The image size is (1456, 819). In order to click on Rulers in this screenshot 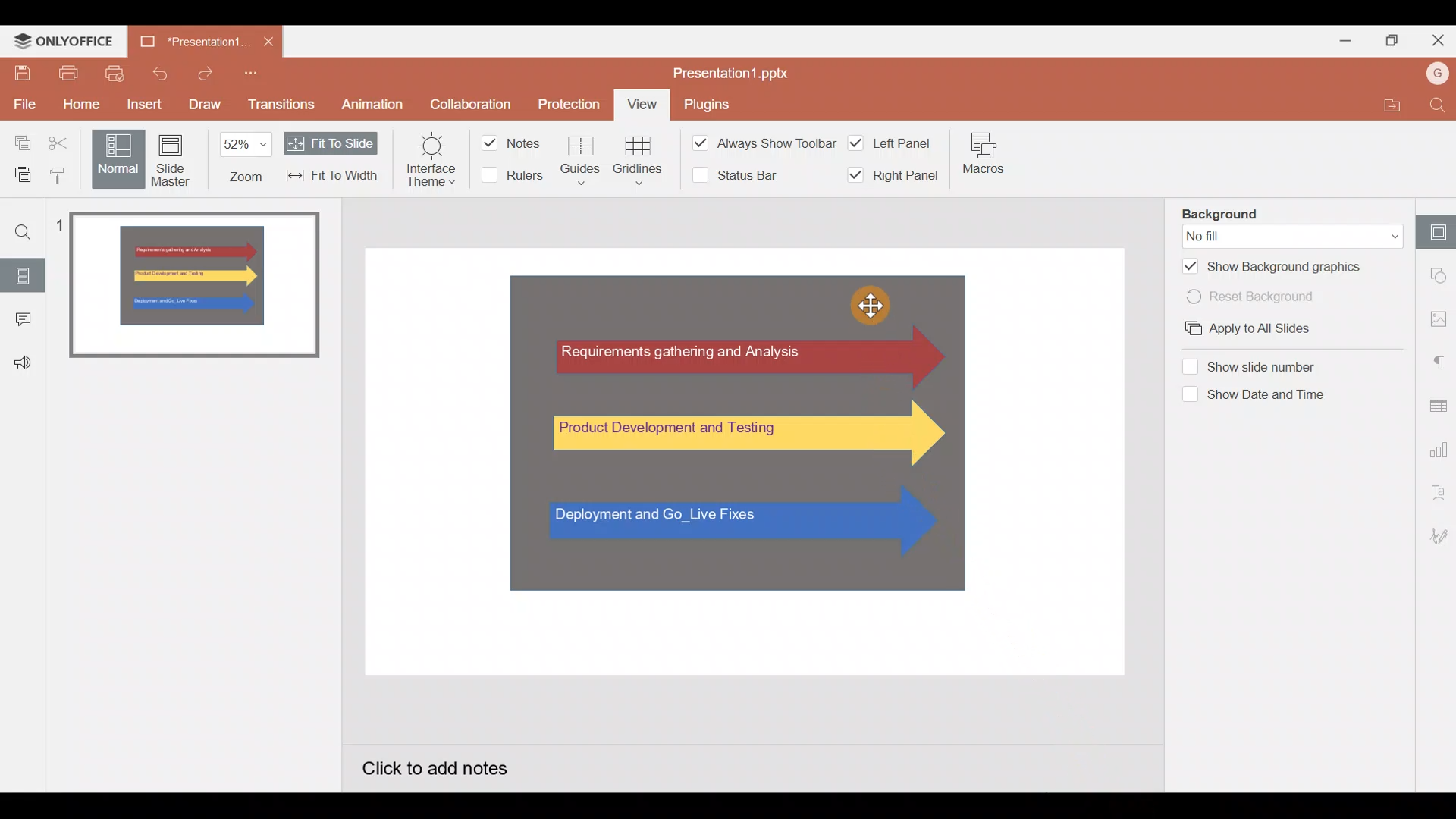, I will do `click(511, 177)`.